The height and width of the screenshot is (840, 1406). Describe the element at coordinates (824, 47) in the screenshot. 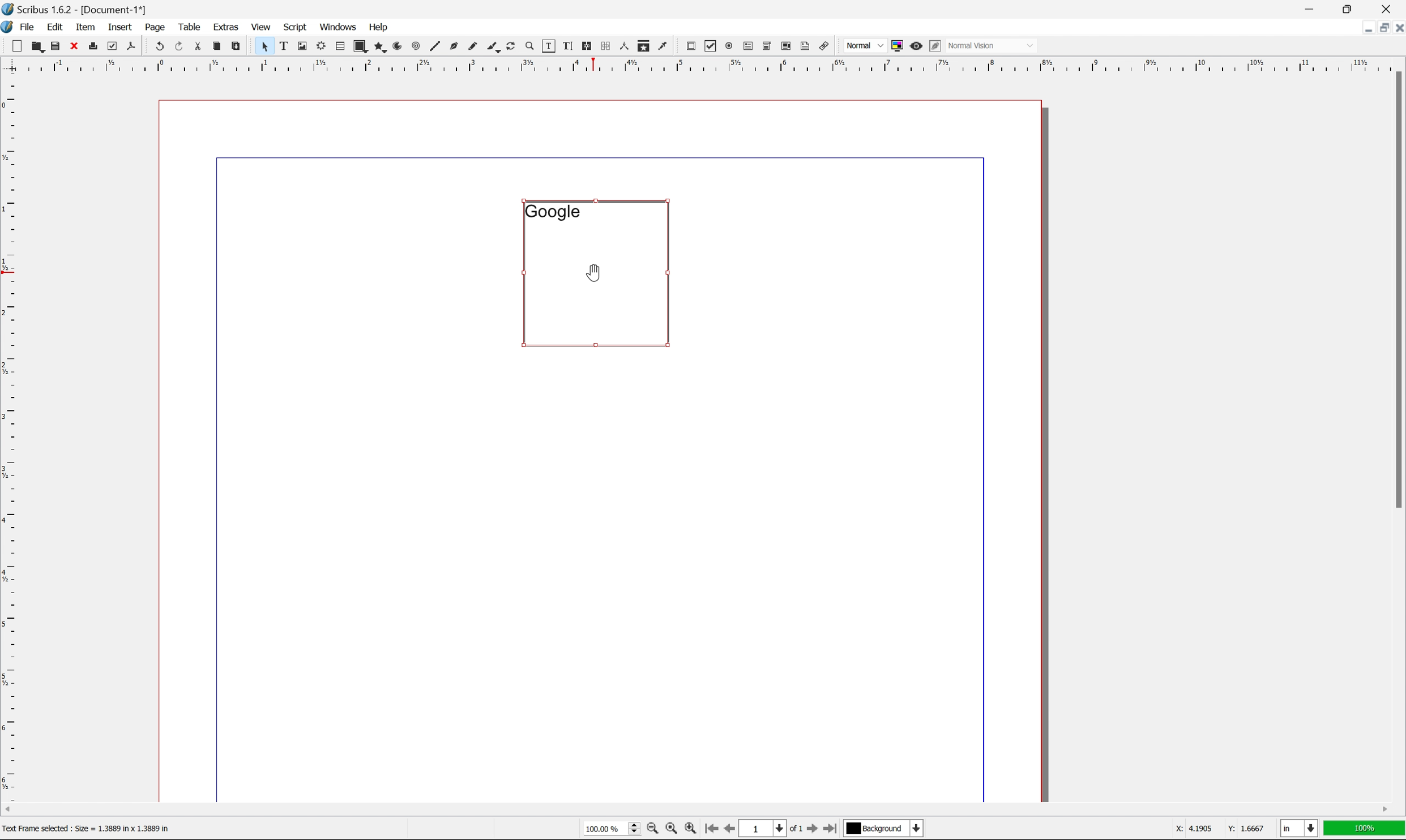

I see `link annotation` at that location.